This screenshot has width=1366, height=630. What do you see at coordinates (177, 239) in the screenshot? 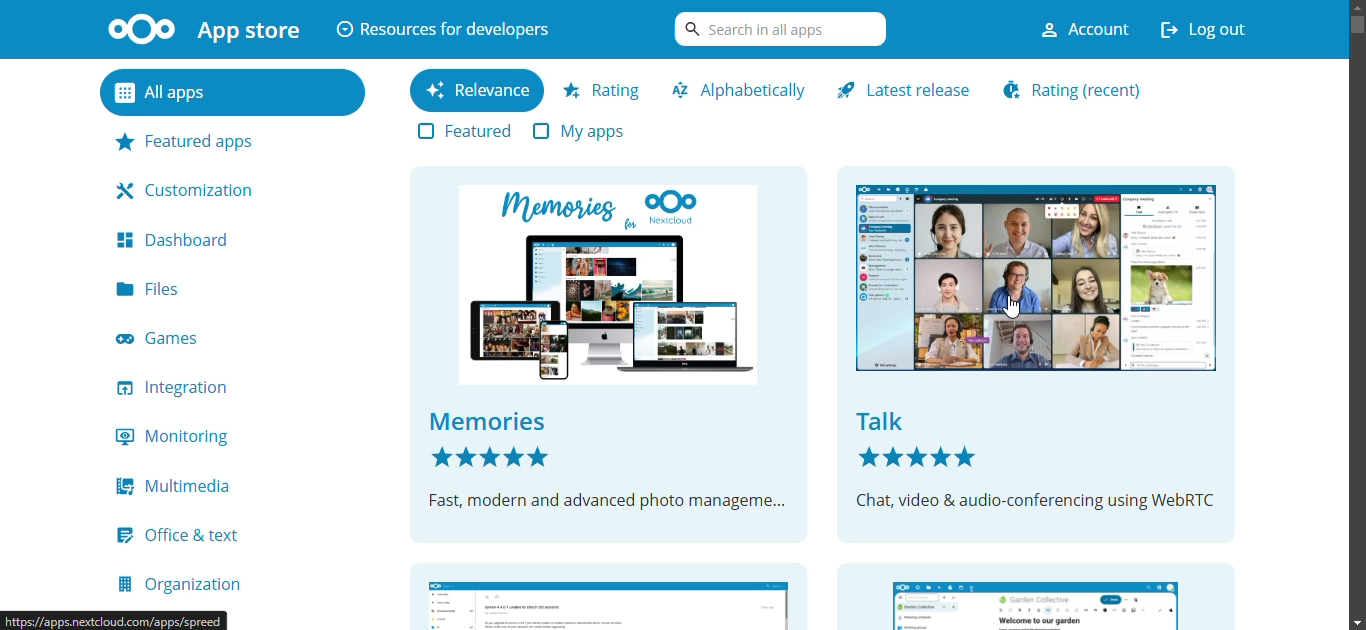
I see `dashboard` at bounding box center [177, 239].